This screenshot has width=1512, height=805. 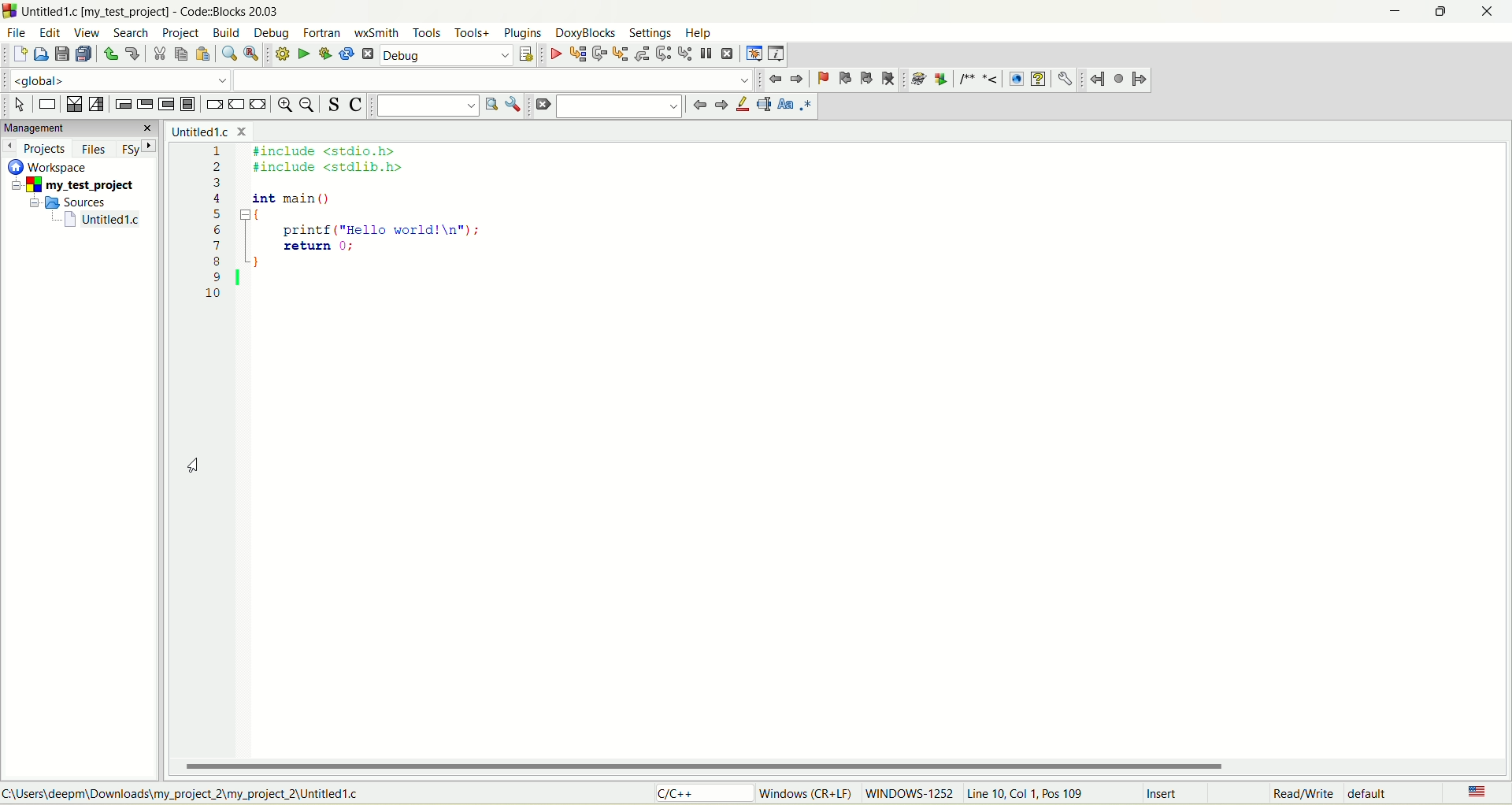 I want to click on run to cursor, so click(x=576, y=54).